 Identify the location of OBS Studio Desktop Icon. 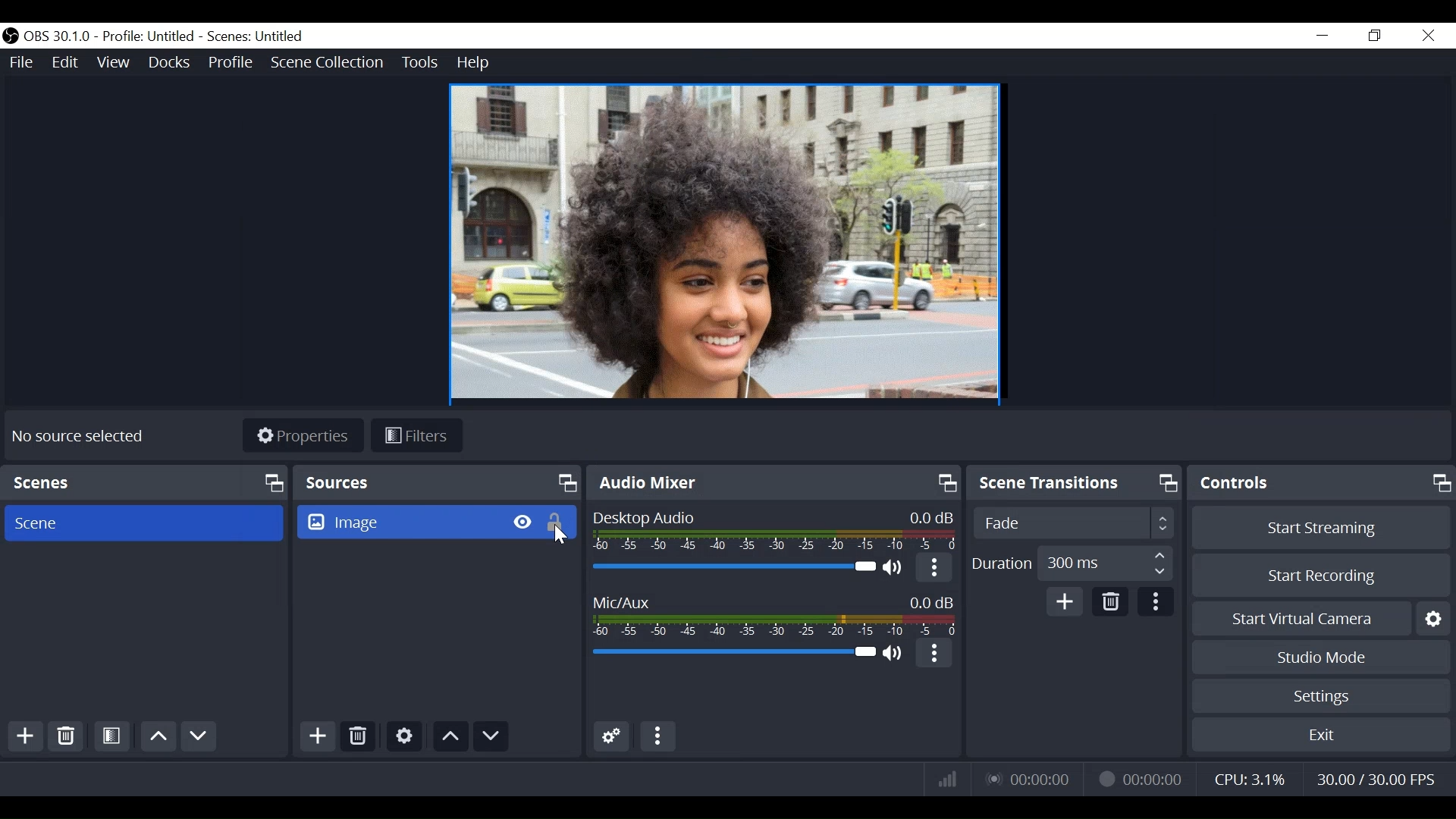
(11, 36).